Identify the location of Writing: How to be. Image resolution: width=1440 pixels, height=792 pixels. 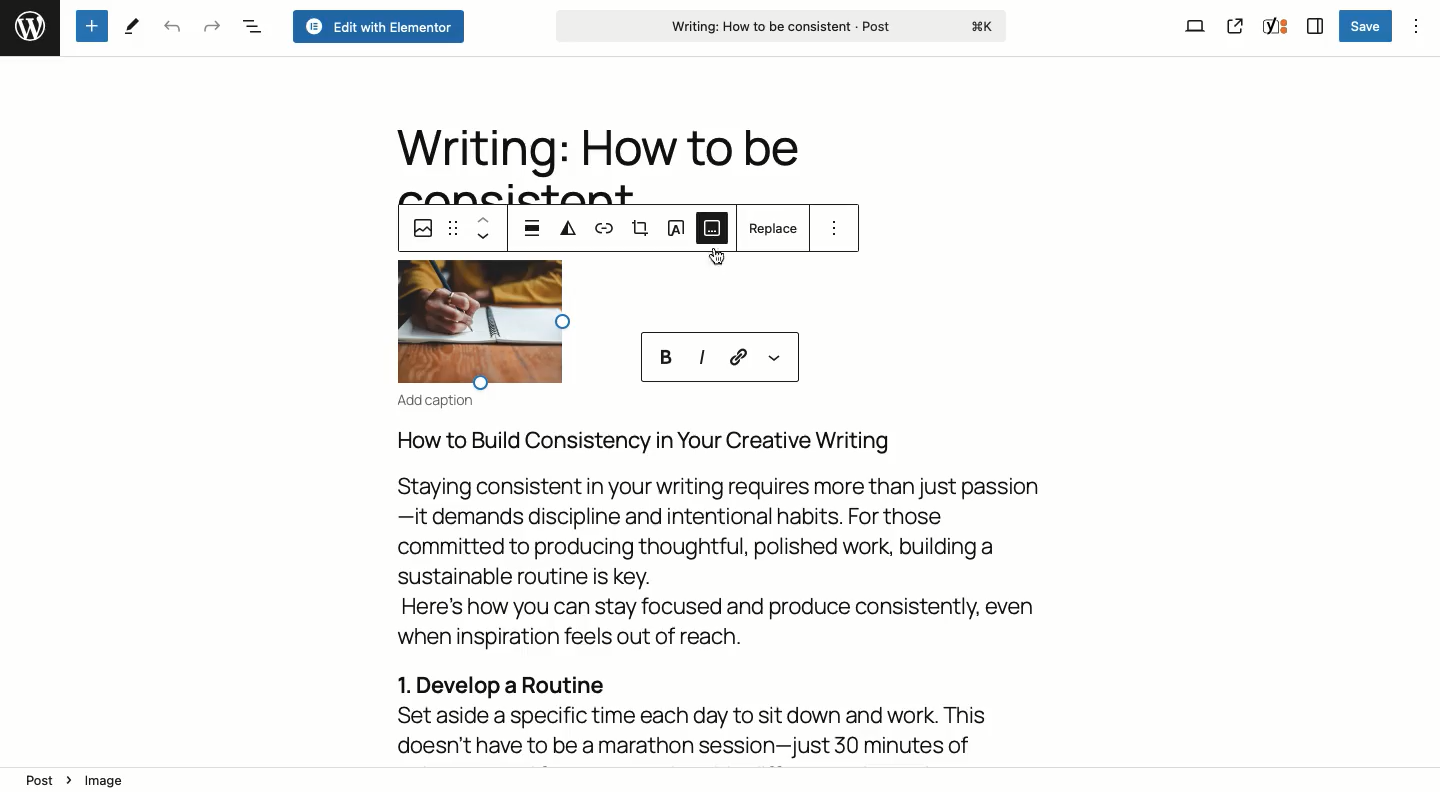
(595, 149).